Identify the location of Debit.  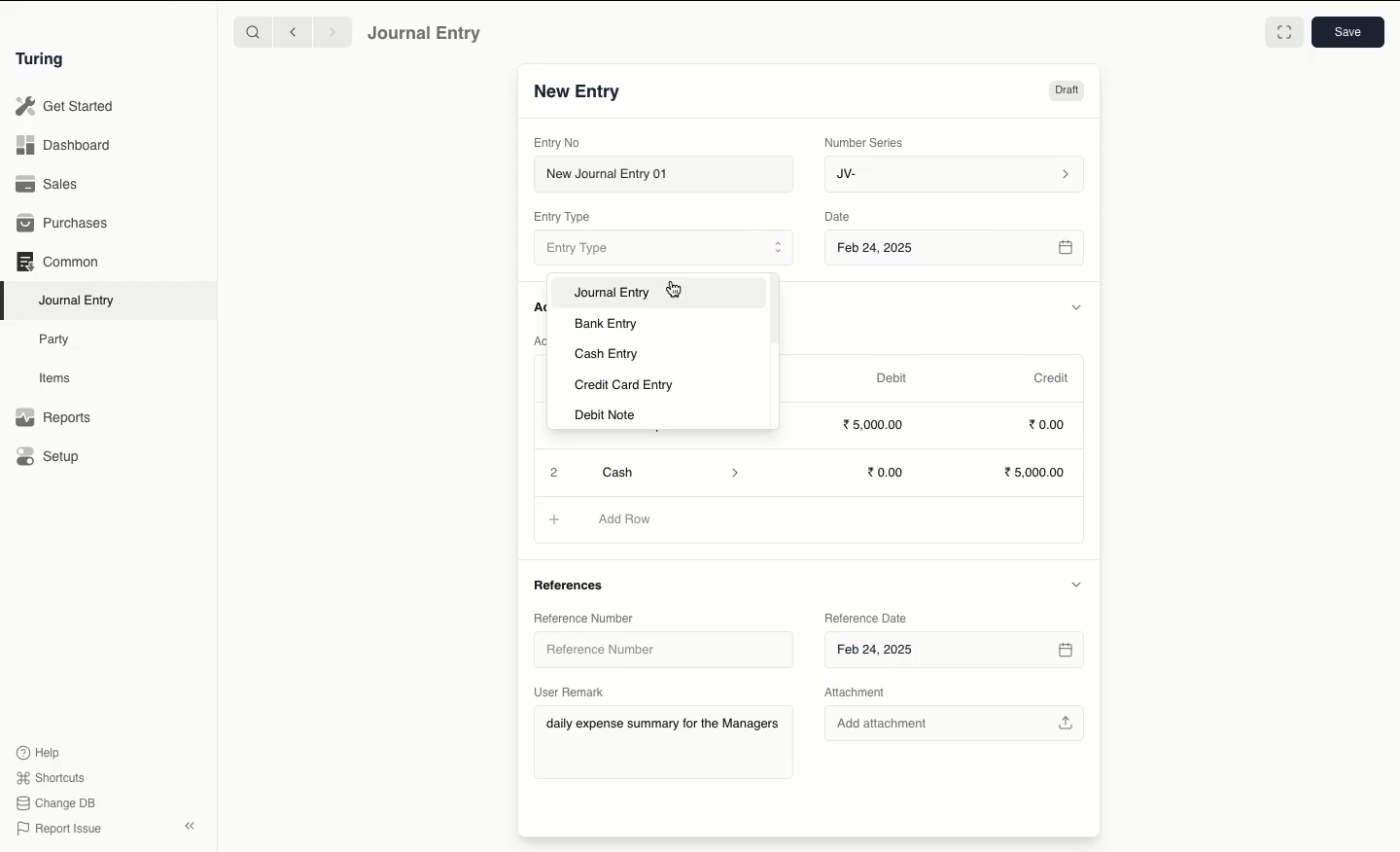
(892, 378).